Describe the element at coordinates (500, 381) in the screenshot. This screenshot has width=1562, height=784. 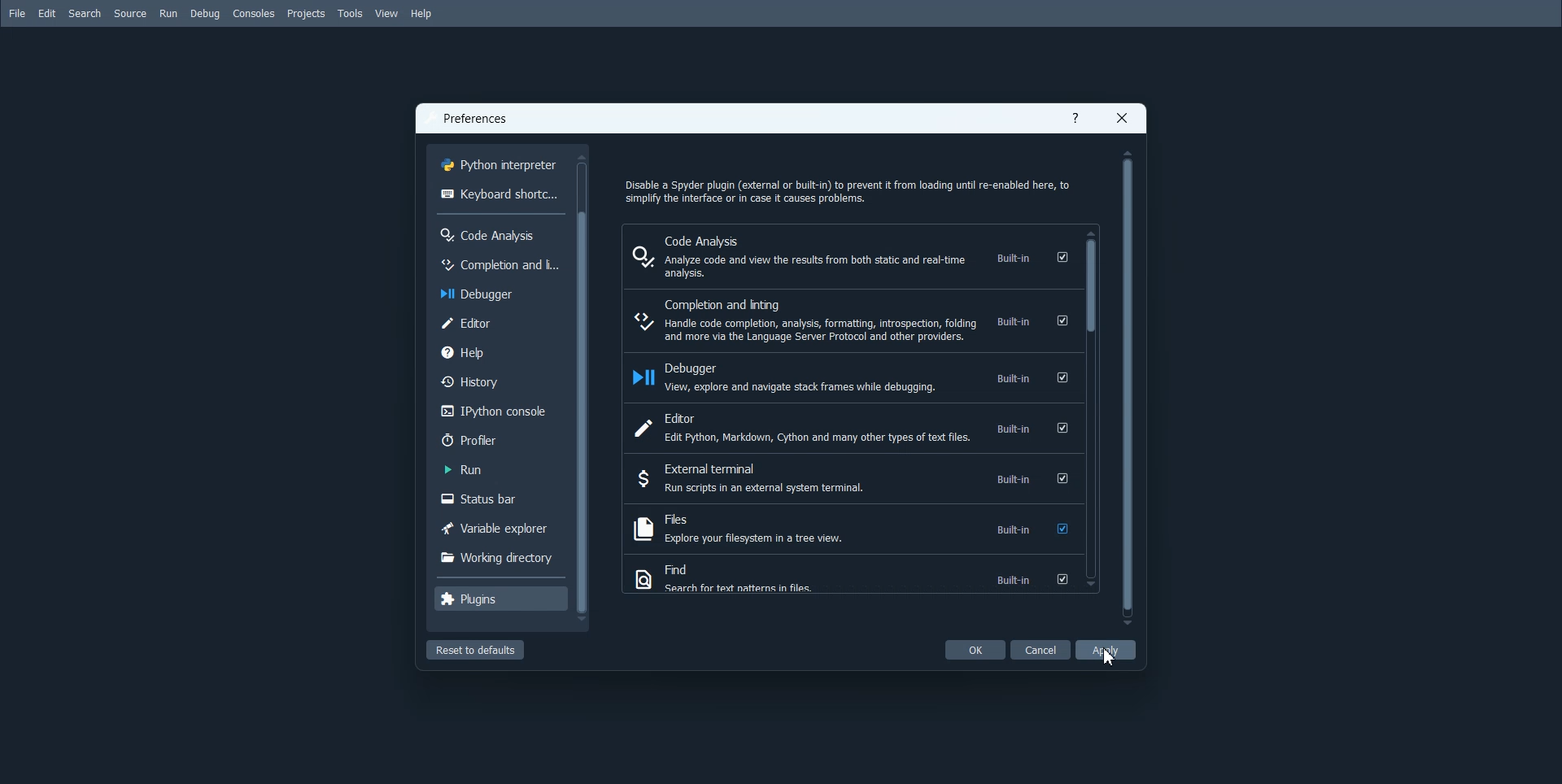
I see `History` at that location.